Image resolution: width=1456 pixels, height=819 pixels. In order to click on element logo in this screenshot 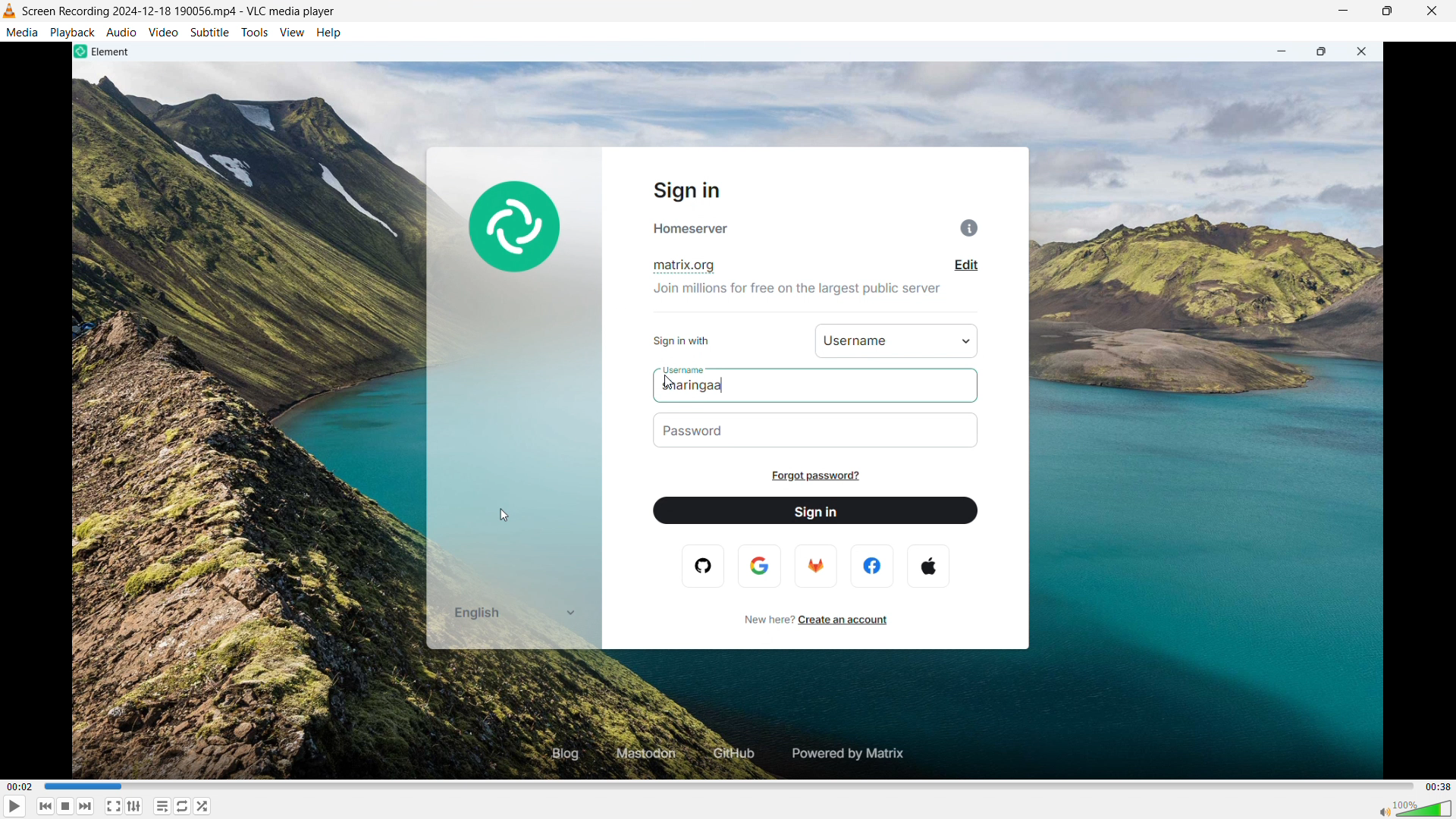, I will do `click(509, 232)`.